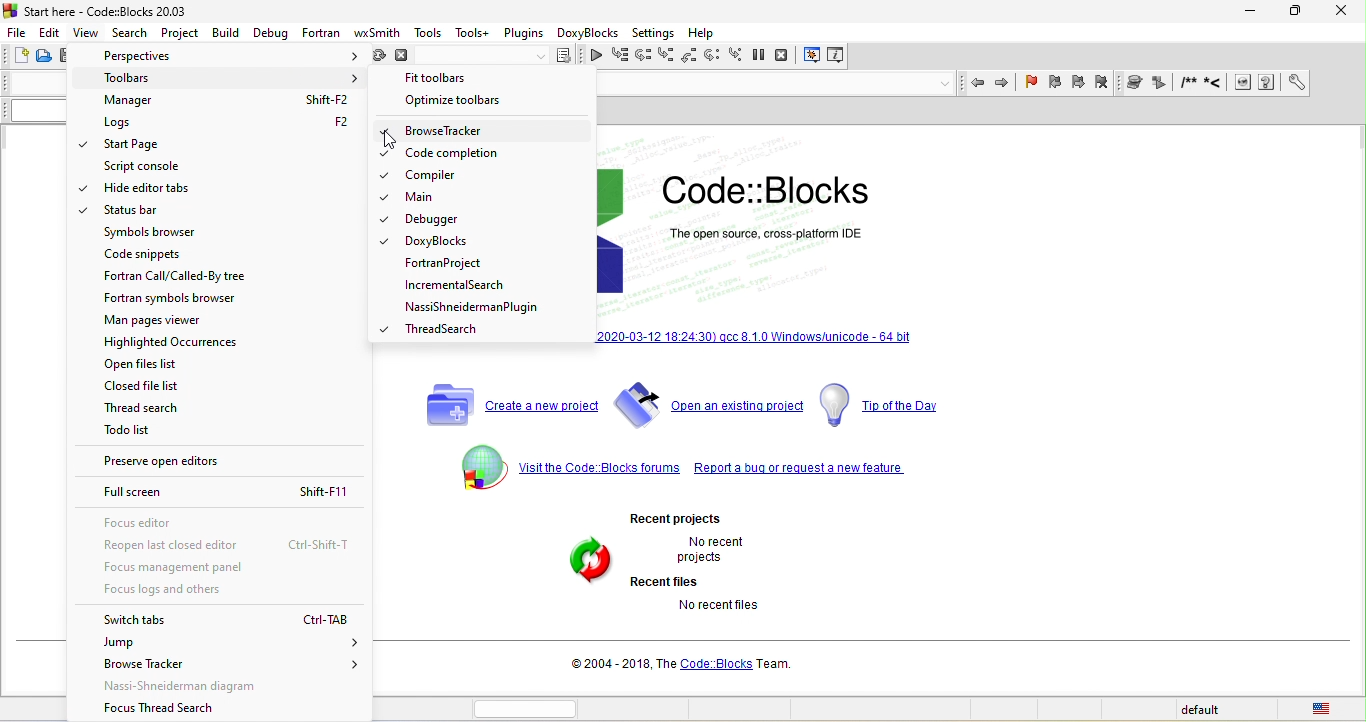 This screenshot has width=1366, height=722. What do you see at coordinates (1215, 84) in the screenshot?
I see `line comment` at bounding box center [1215, 84].